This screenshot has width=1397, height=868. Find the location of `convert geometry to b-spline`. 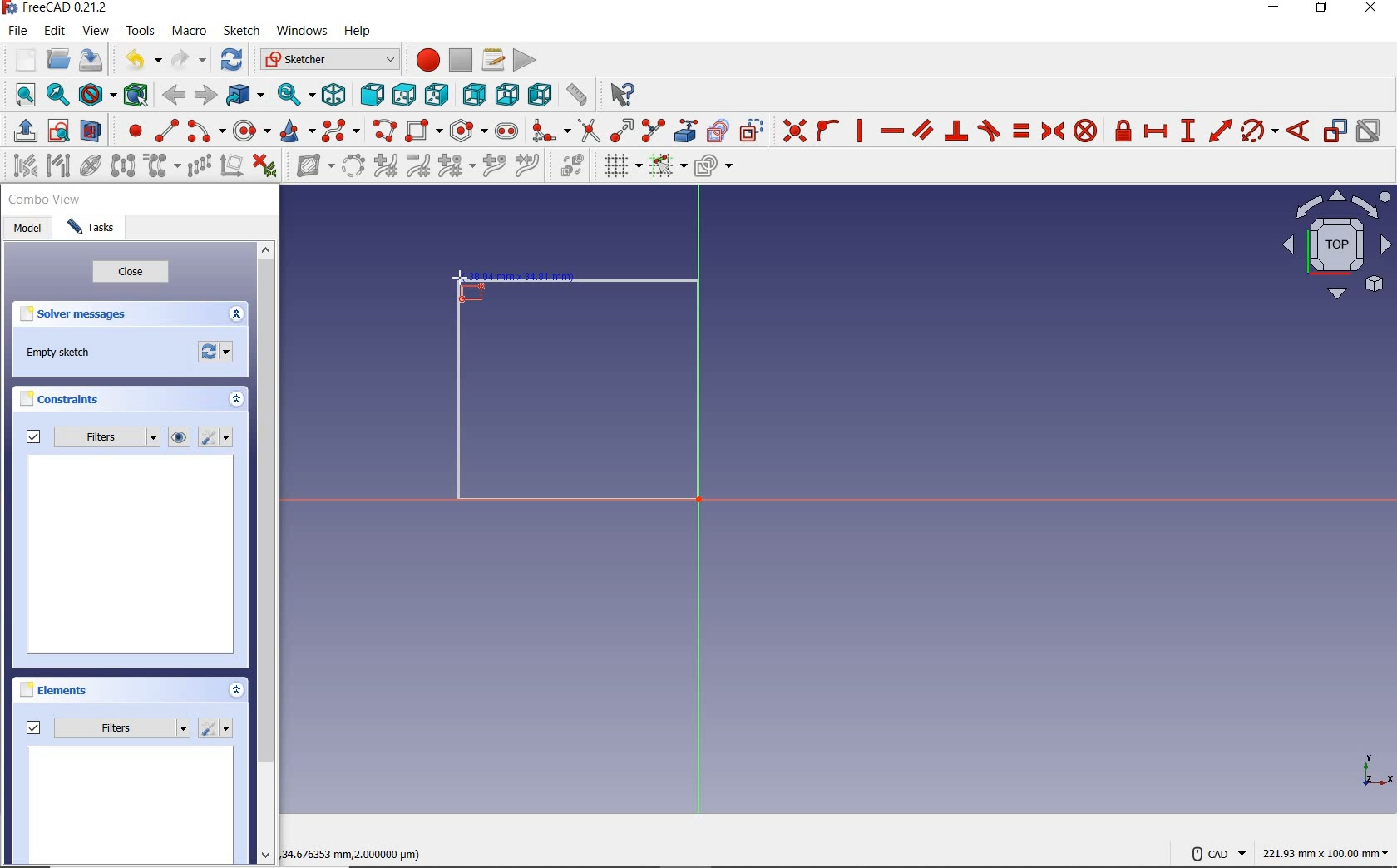

convert geometry to b-spline is located at coordinates (353, 165).